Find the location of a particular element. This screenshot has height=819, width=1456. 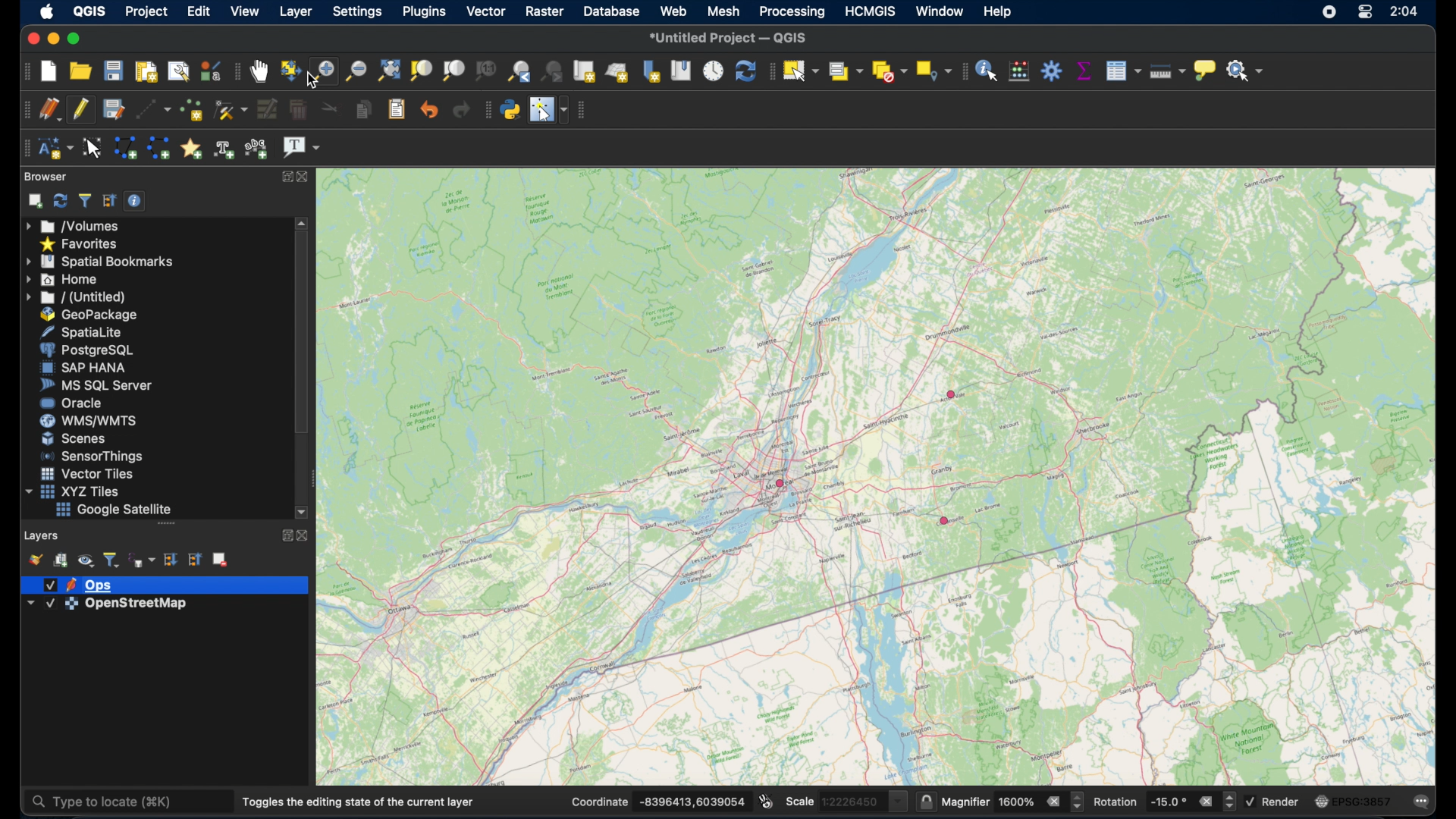

collapse all is located at coordinates (110, 201).